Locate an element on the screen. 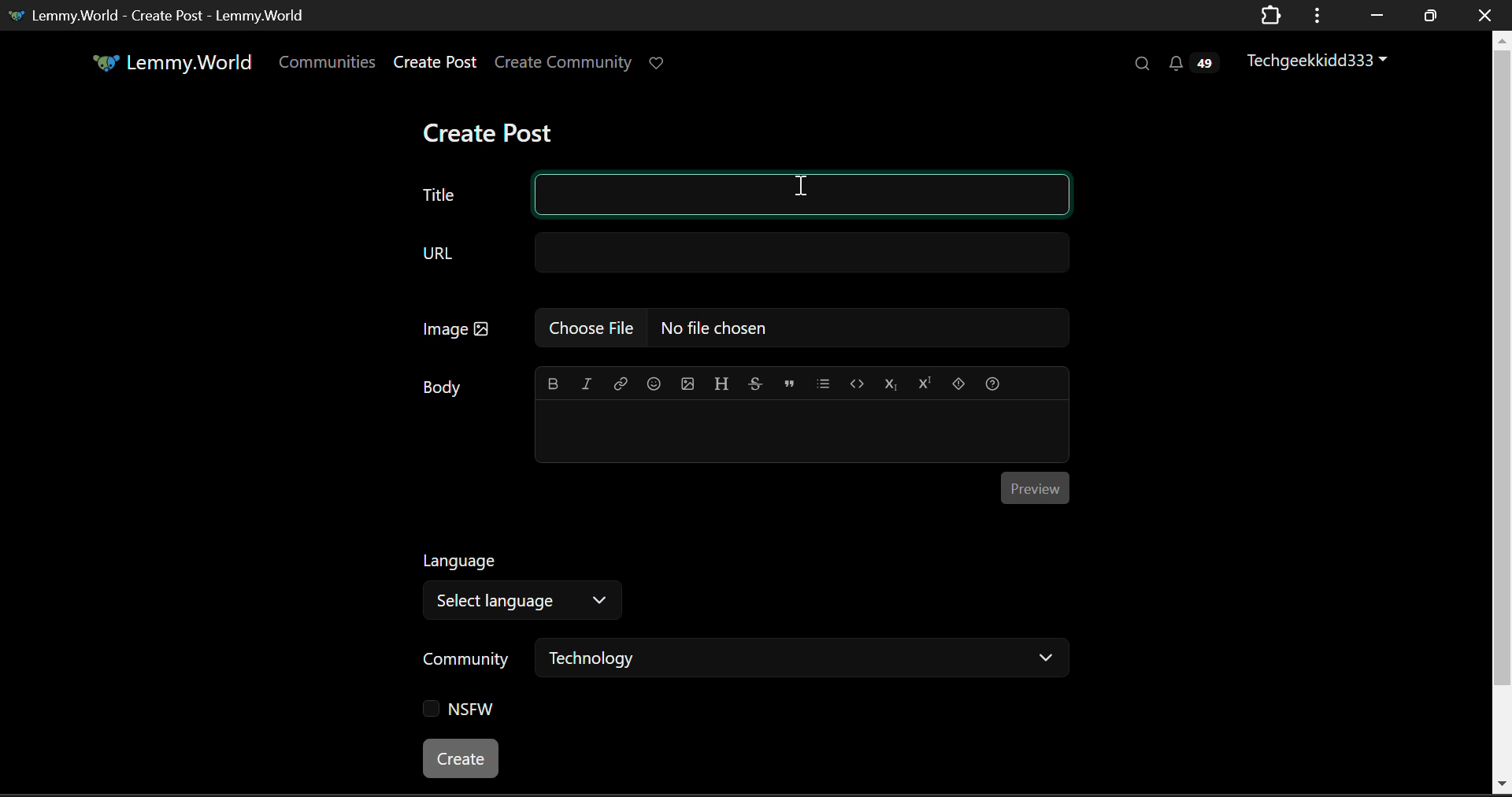  Cursor on Title Textbox is located at coordinates (800, 188).